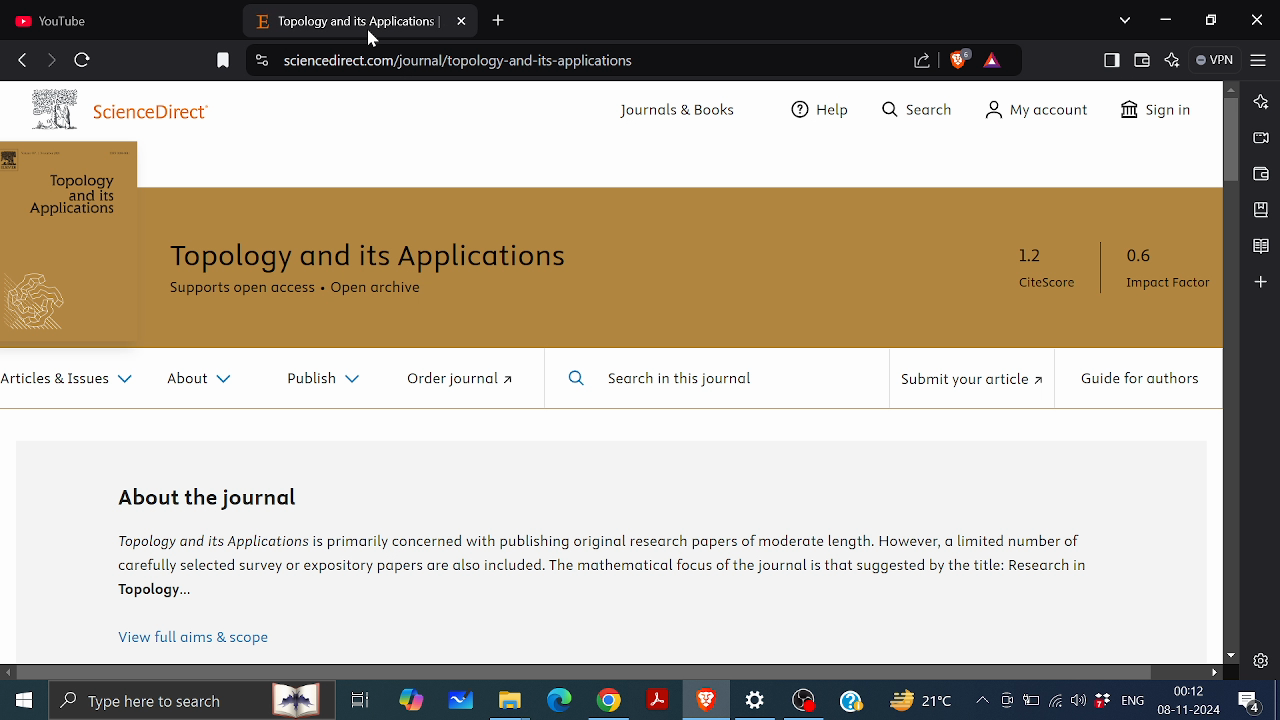 This screenshot has height=720, width=1280. Describe the element at coordinates (354, 19) in the screenshot. I see `Next tab` at that location.